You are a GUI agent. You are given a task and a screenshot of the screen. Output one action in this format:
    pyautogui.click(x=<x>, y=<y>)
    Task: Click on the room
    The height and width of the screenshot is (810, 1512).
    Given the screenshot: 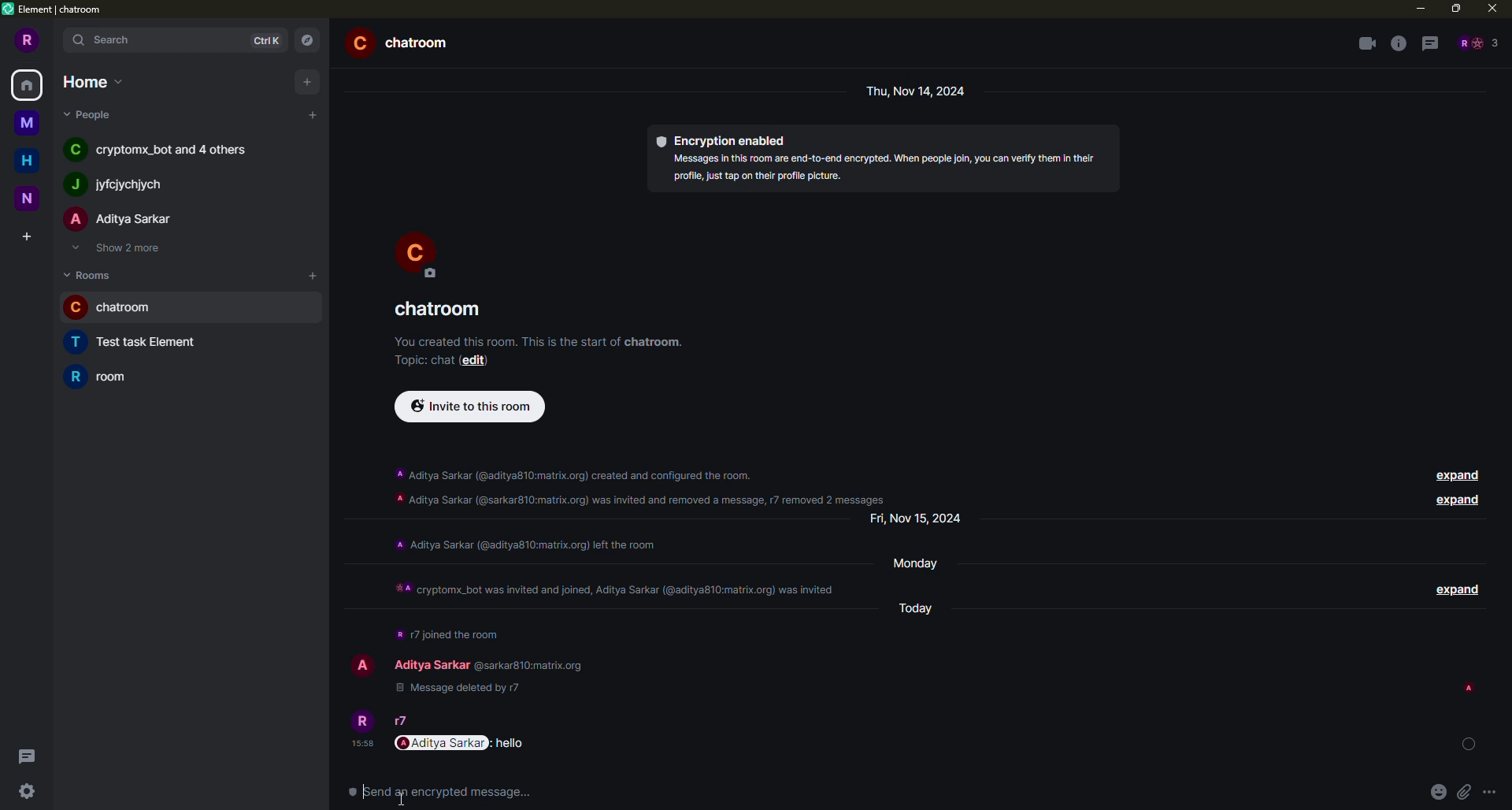 What is the action you would take?
    pyautogui.click(x=118, y=308)
    